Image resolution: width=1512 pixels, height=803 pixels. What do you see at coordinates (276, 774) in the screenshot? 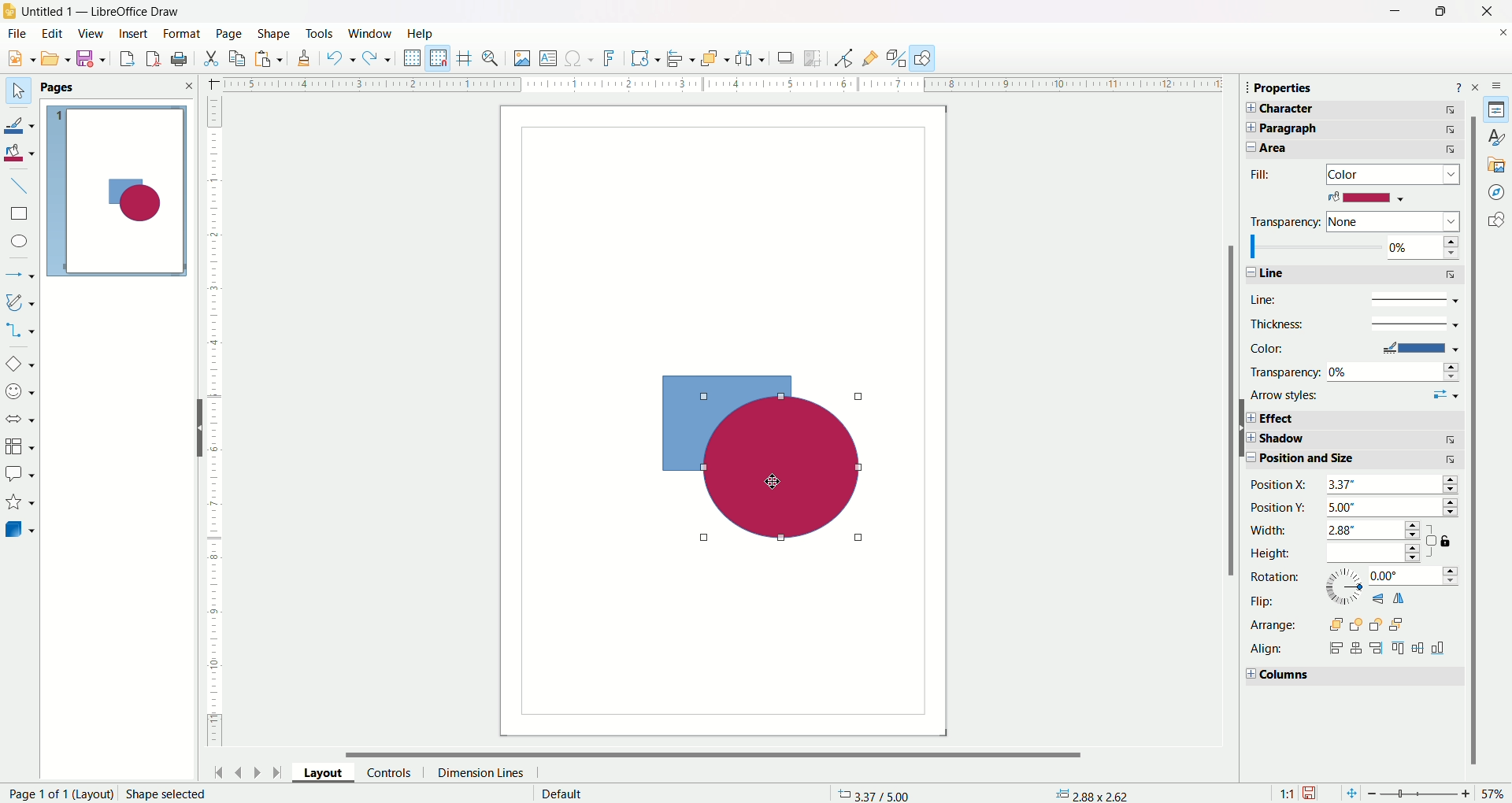
I see `to last page` at bounding box center [276, 774].